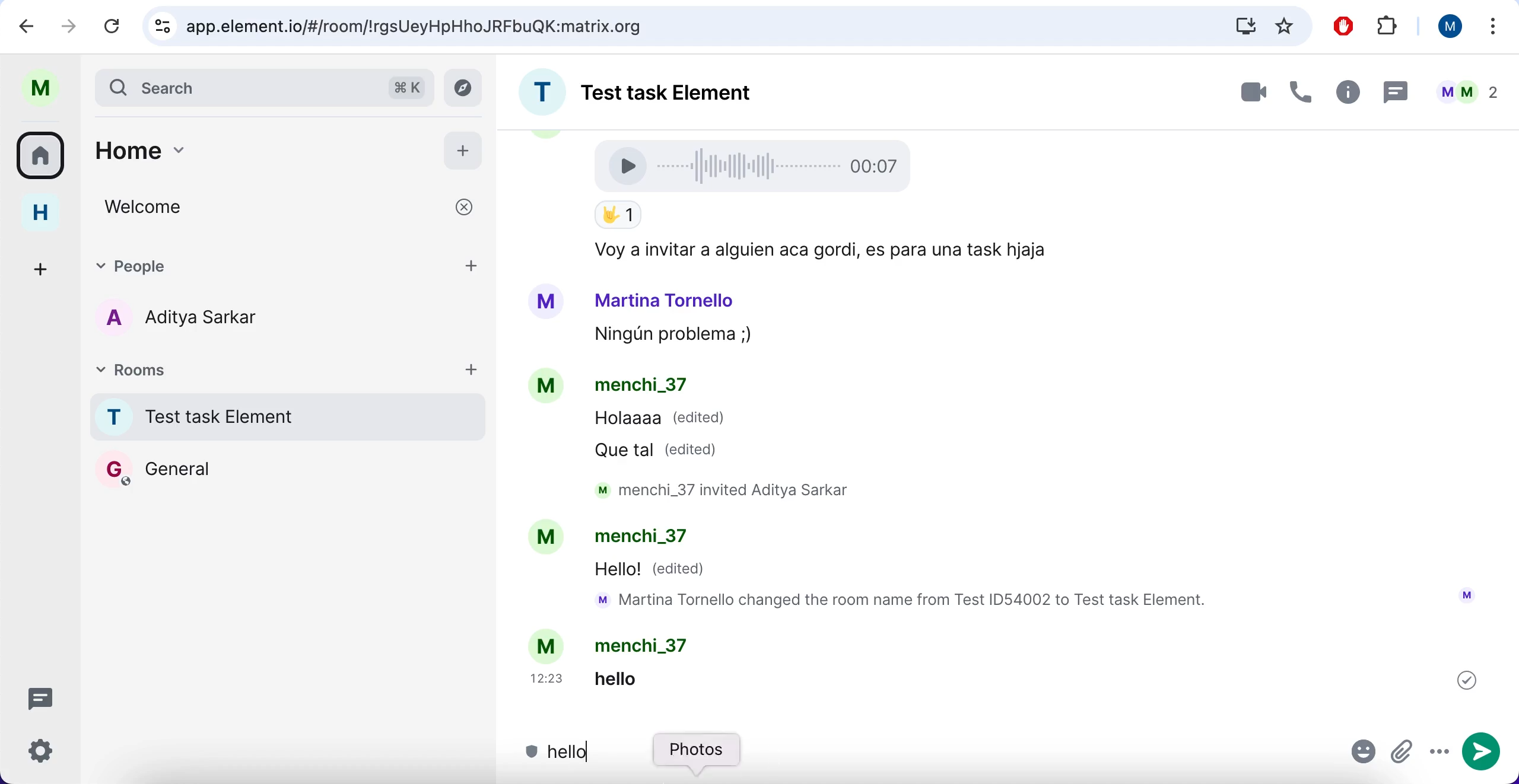 Image resolution: width=1519 pixels, height=784 pixels. What do you see at coordinates (816, 251) in the screenshot?
I see `Voy a invitar a alguien aca gordi, es para una task hjaja` at bounding box center [816, 251].